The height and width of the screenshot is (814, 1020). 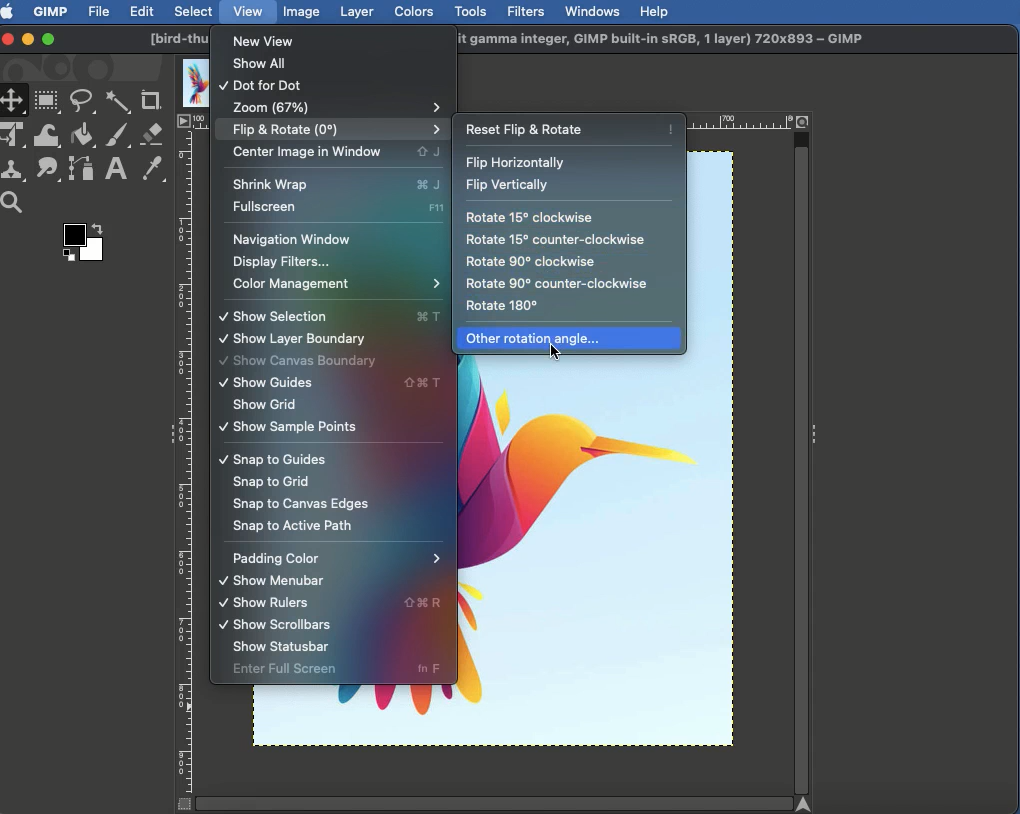 What do you see at coordinates (249, 10) in the screenshot?
I see `View` at bounding box center [249, 10].